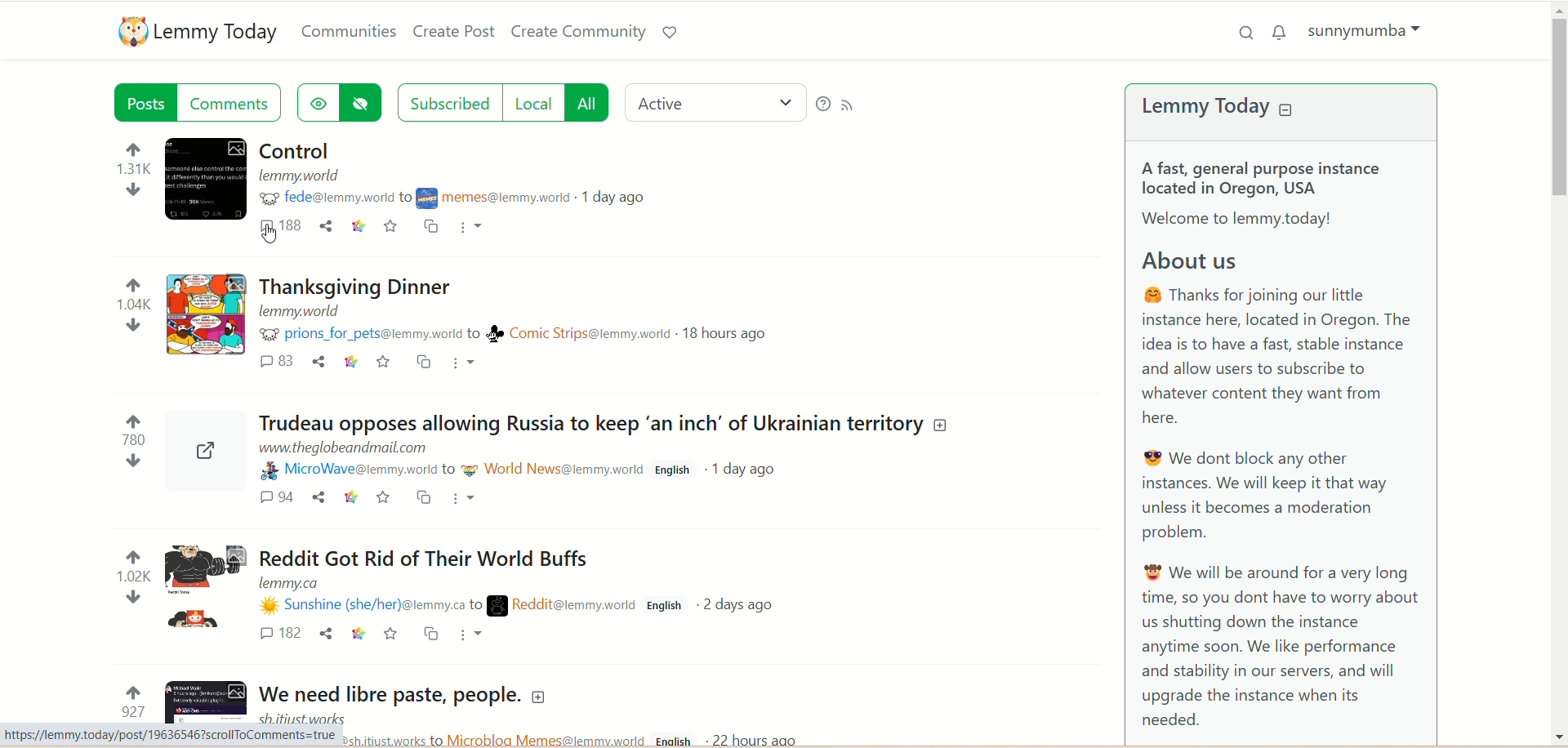  Describe the element at coordinates (1287, 449) in the screenshot. I see `A brief about Lemmy Today` at that location.